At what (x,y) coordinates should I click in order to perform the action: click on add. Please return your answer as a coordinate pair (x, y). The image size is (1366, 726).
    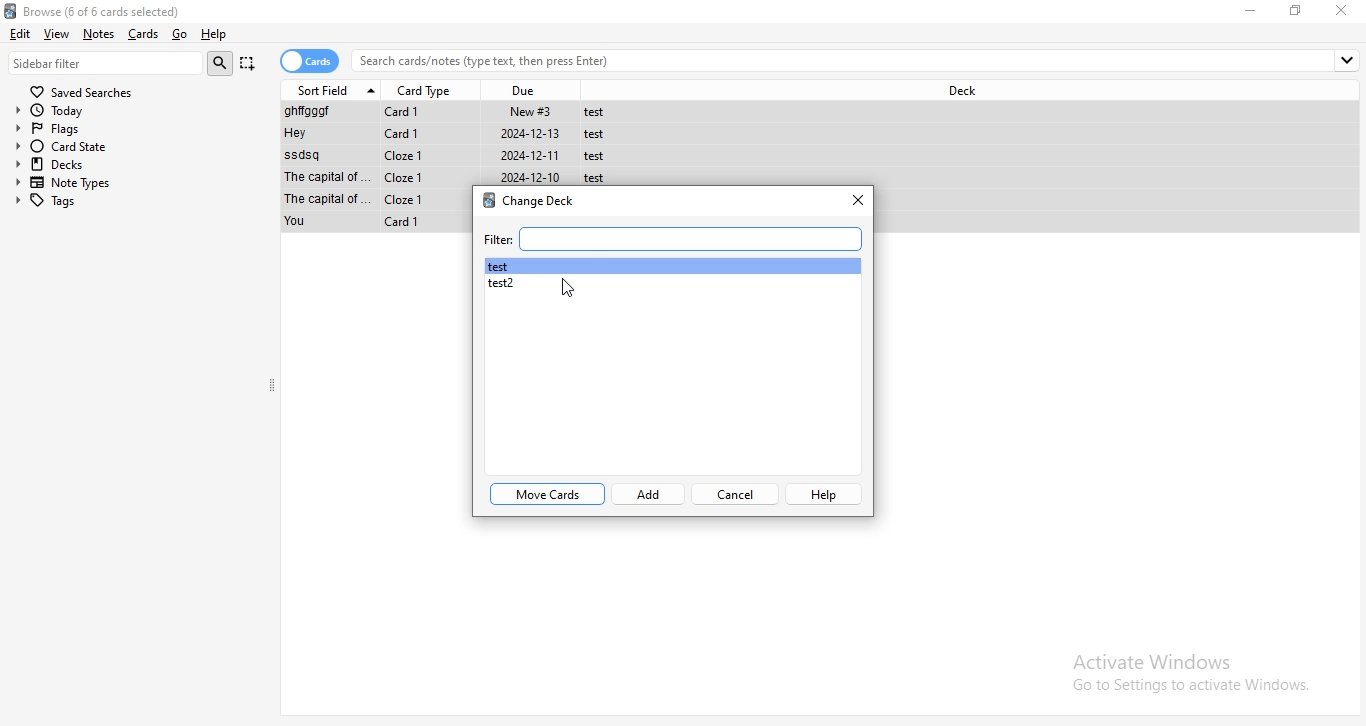
    Looking at the image, I should click on (648, 493).